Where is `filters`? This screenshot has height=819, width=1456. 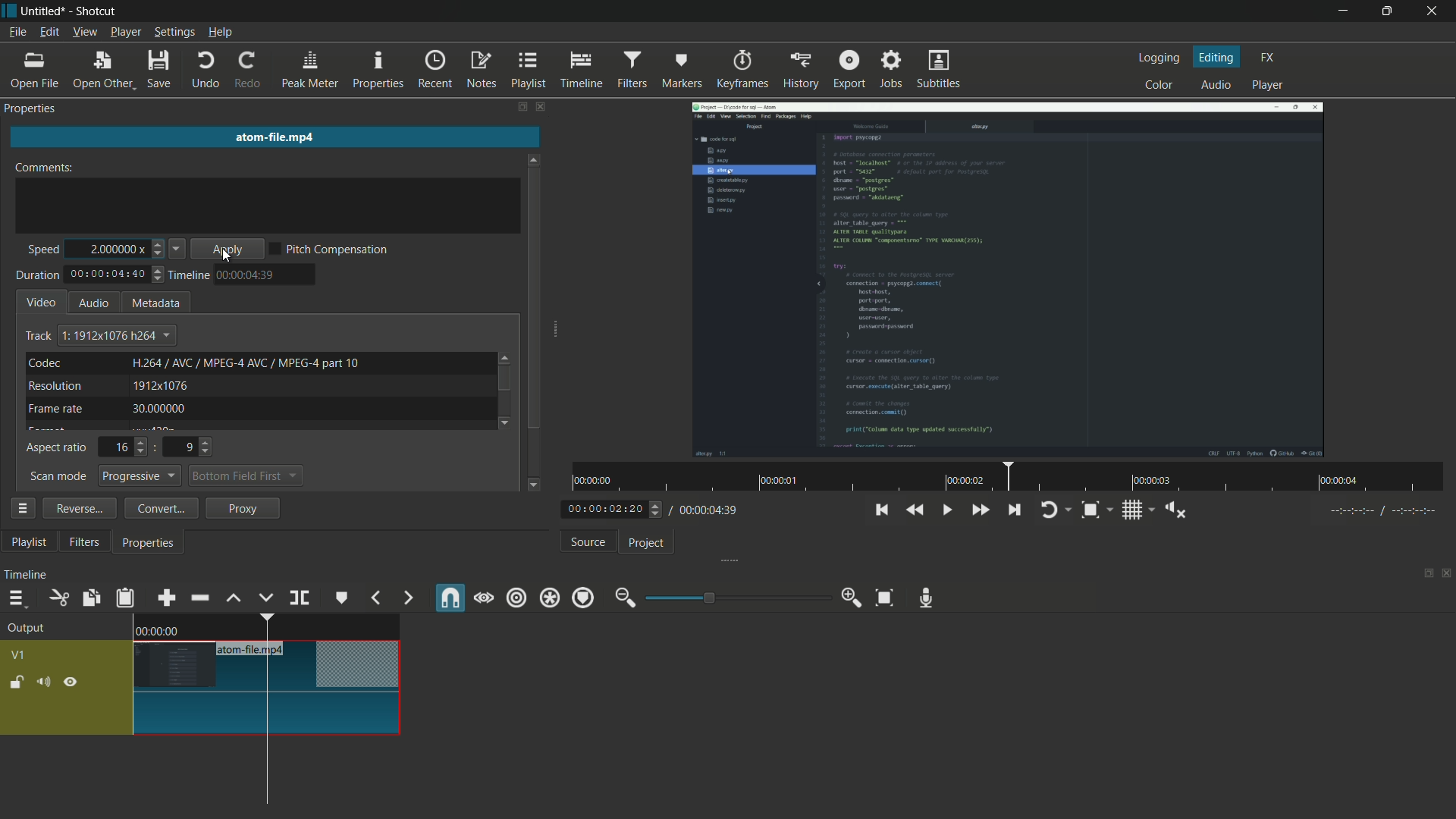
filters is located at coordinates (632, 69).